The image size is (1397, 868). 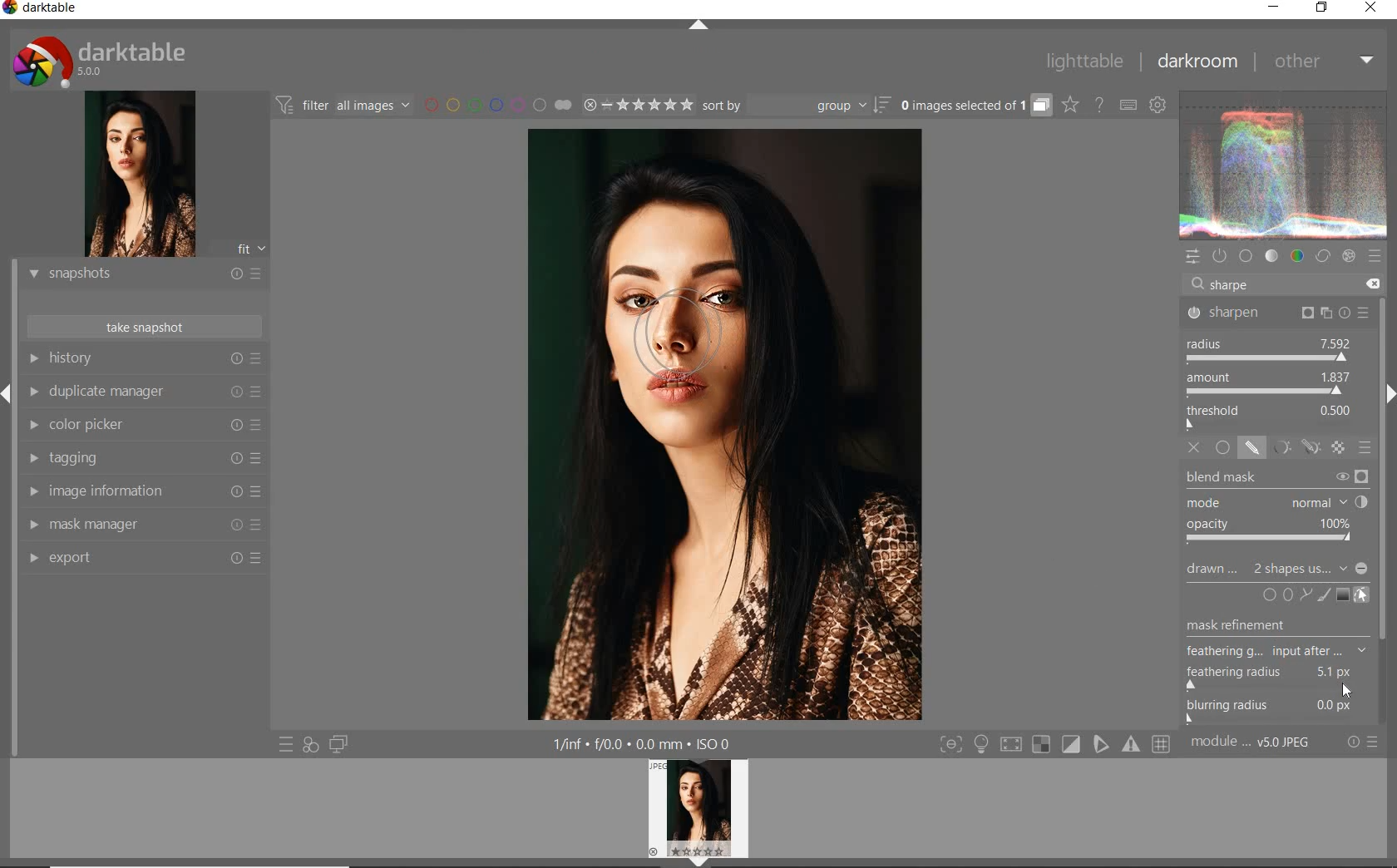 What do you see at coordinates (146, 326) in the screenshot?
I see `TAKE SNAPSHOTS` at bounding box center [146, 326].